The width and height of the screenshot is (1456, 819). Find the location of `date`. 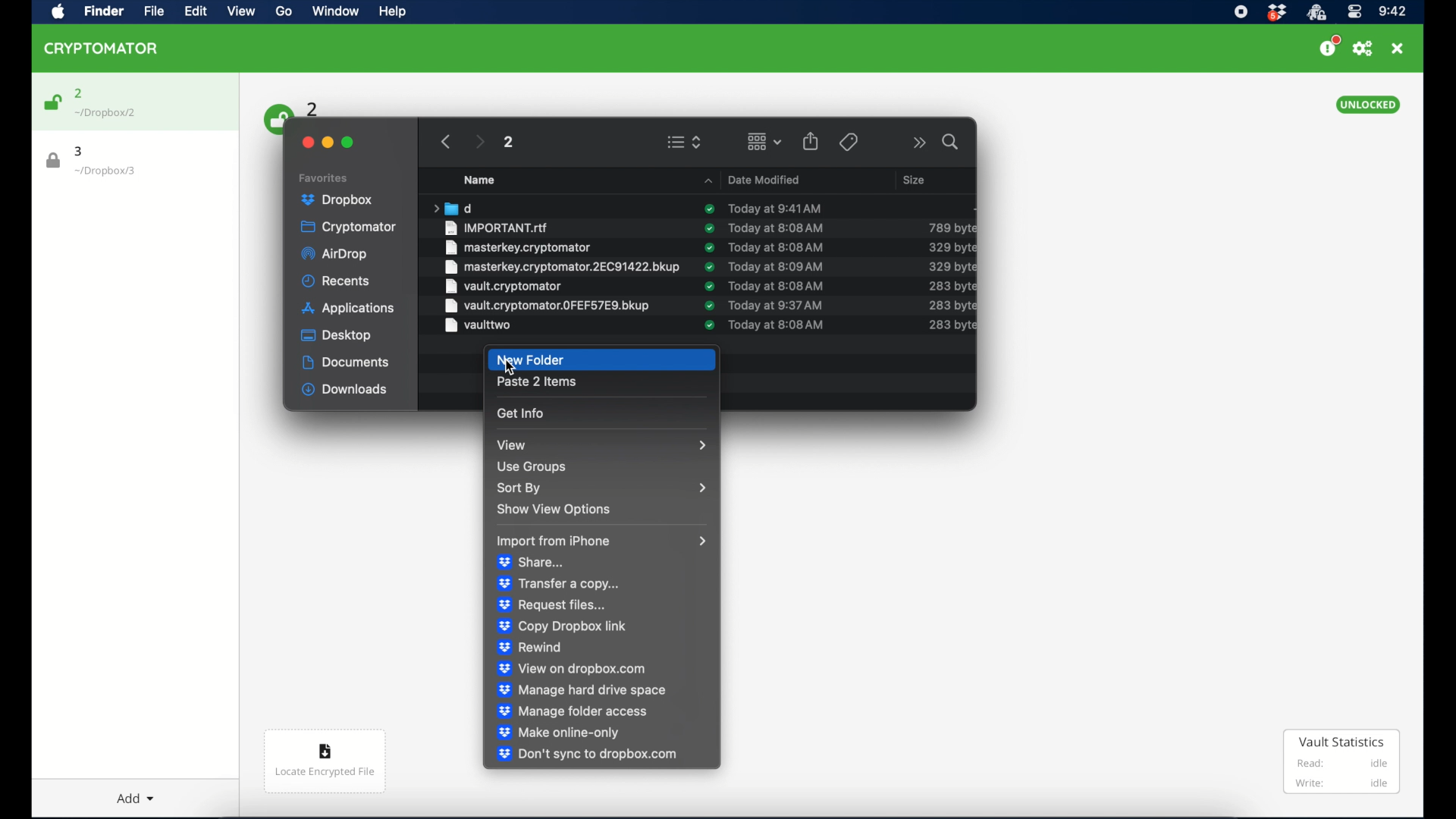

date is located at coordinates (776, 305).